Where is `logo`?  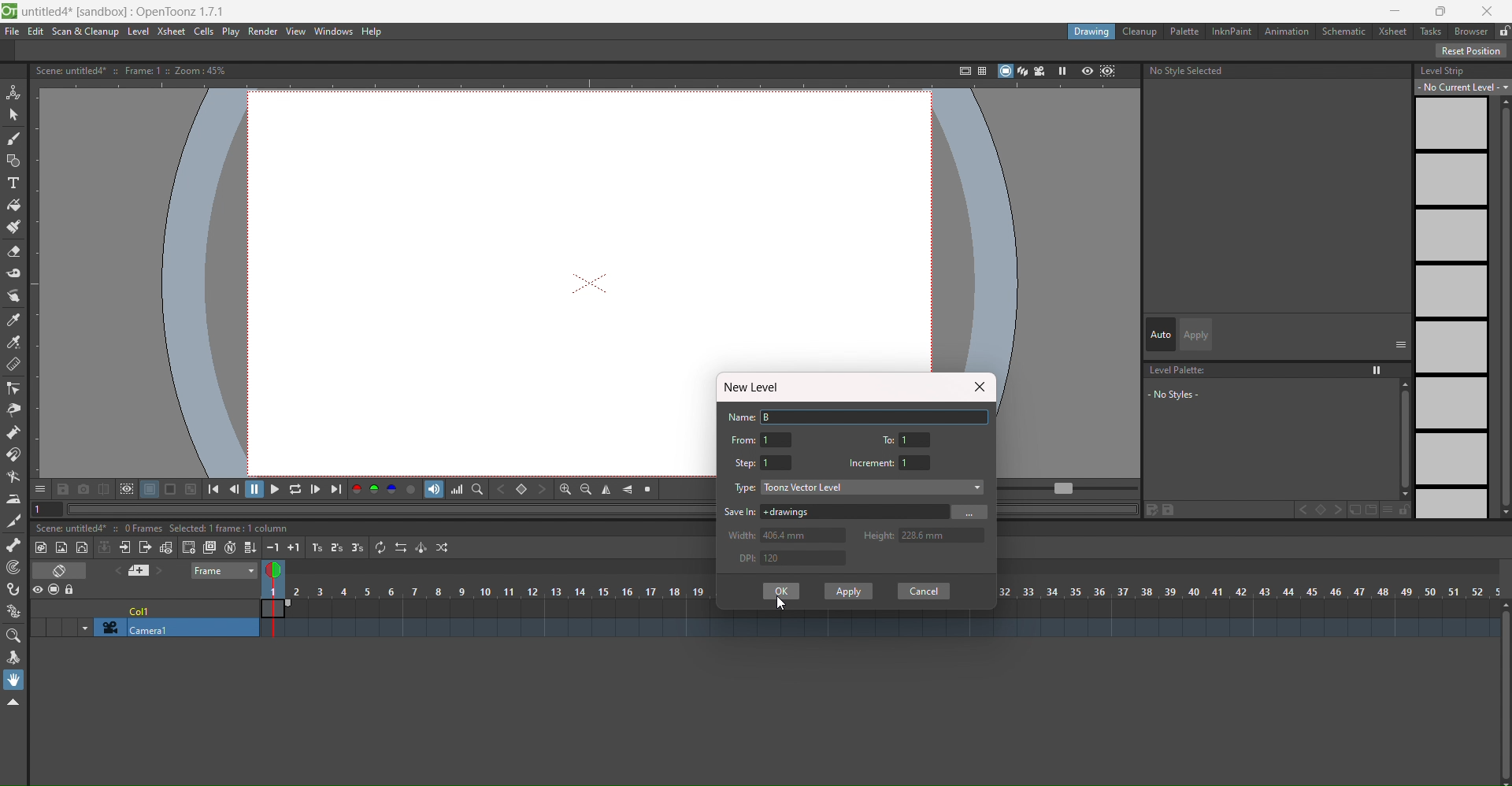 logo is located at coordinates (9, 12).